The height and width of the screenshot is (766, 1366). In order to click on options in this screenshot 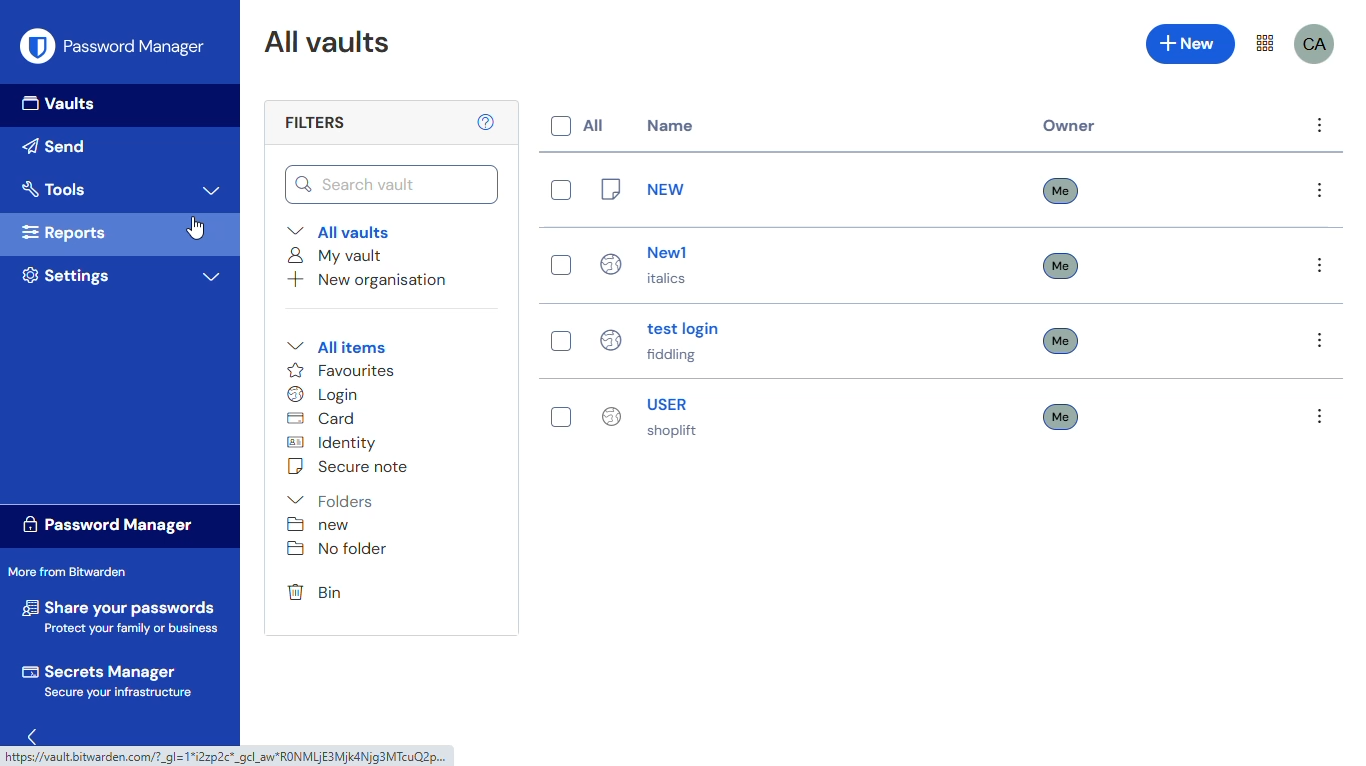, I will do `click(1320, 417)`.